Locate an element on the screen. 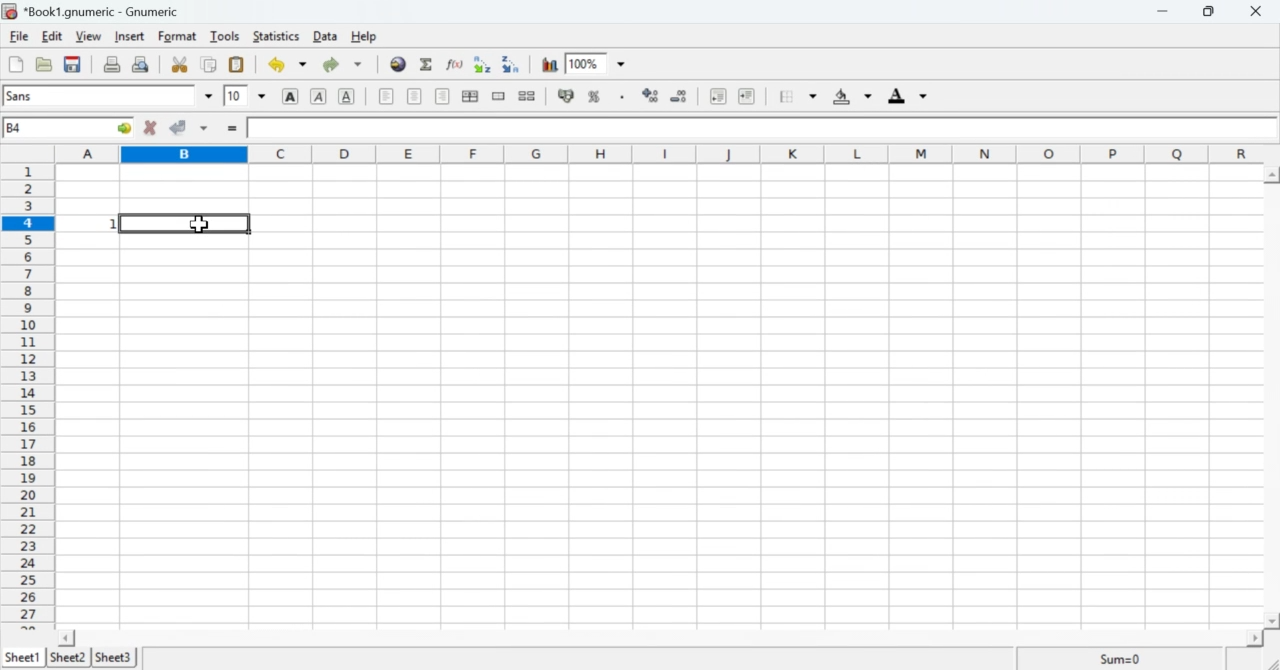 This screenshot has height=670, width=1280. Edit is located at coordinates (55, 37).